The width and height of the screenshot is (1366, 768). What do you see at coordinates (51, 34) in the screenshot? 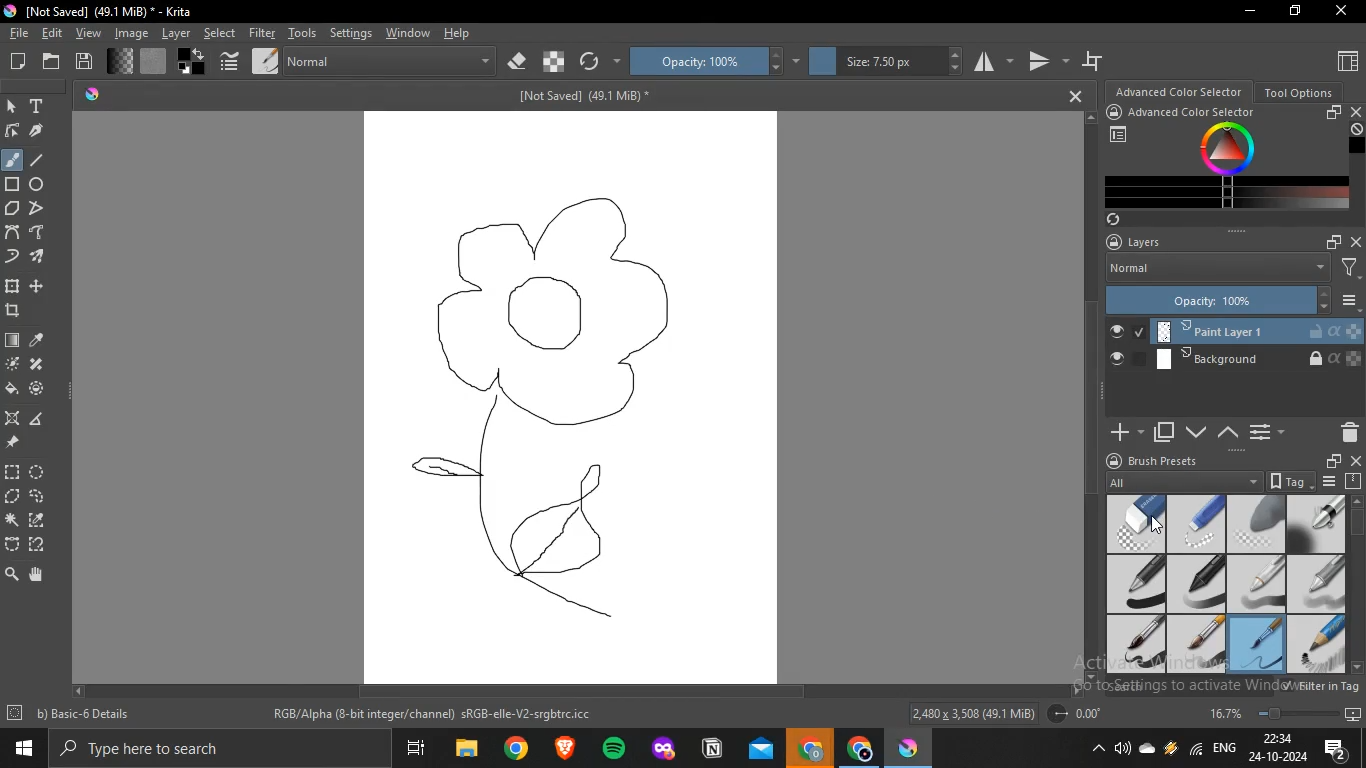
I see `edit` at bounding box center [51, 34].